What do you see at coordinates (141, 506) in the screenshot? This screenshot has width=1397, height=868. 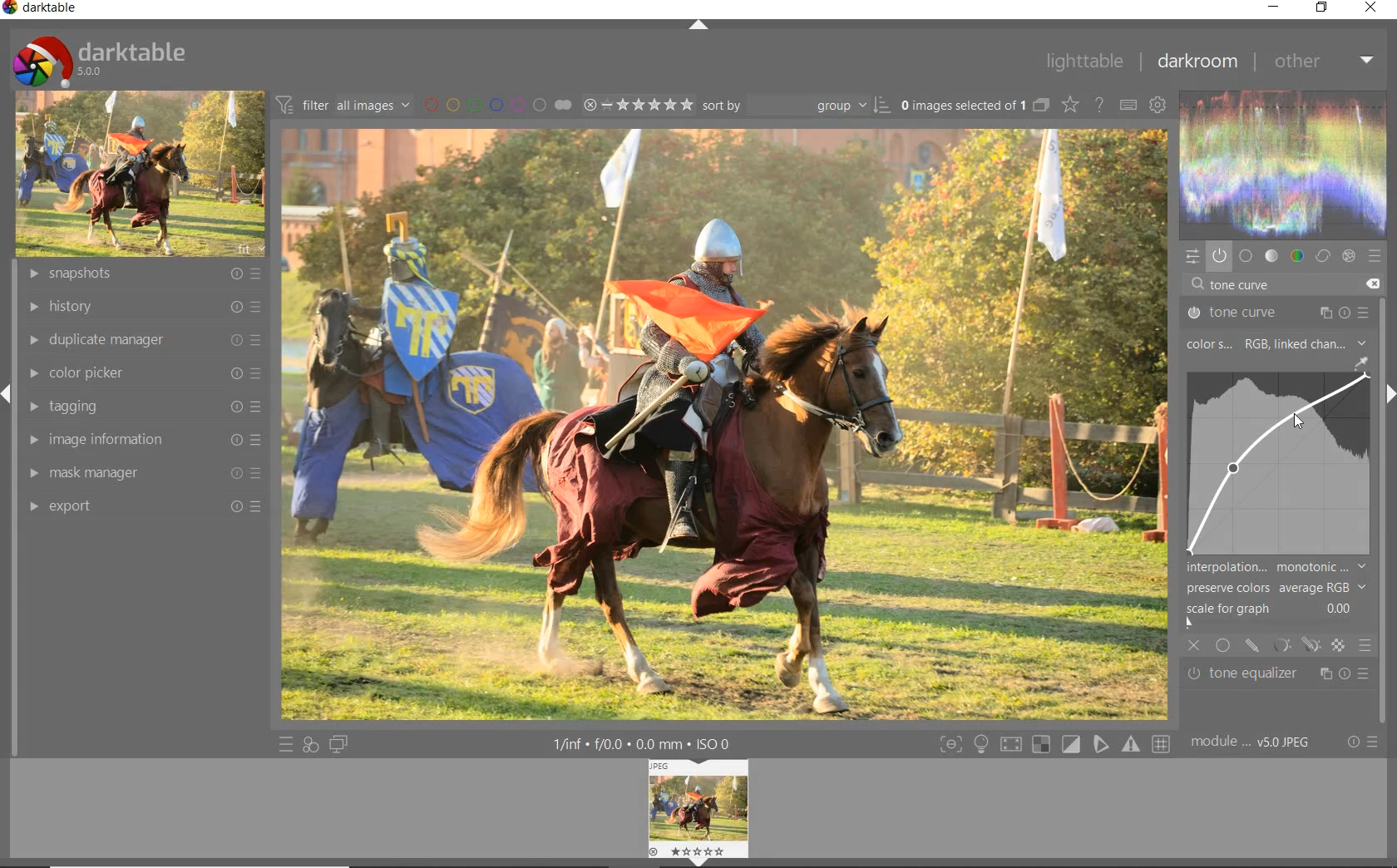 I see `export` at bounding box center [141, 506].